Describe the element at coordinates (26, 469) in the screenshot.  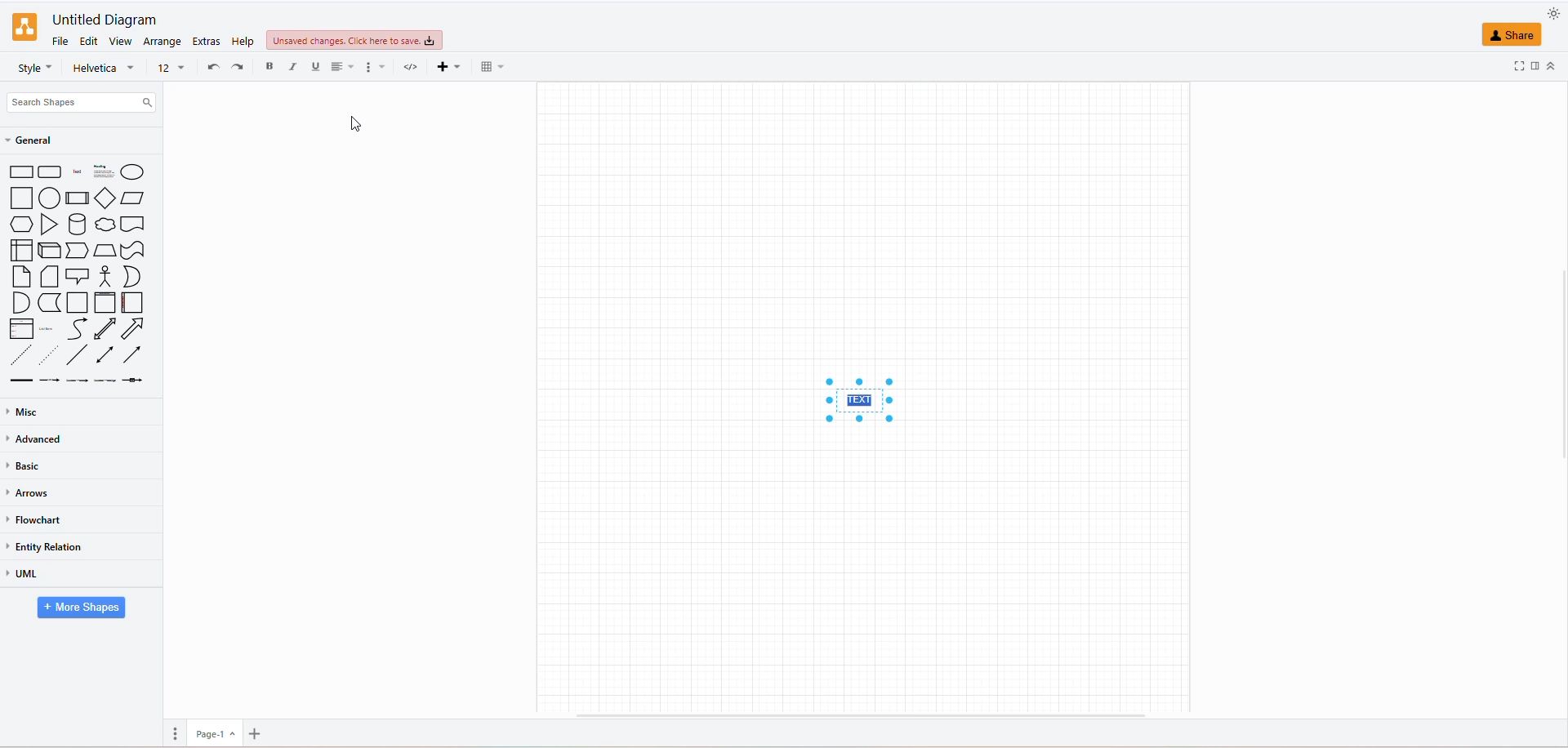
I see `basic` at that location.